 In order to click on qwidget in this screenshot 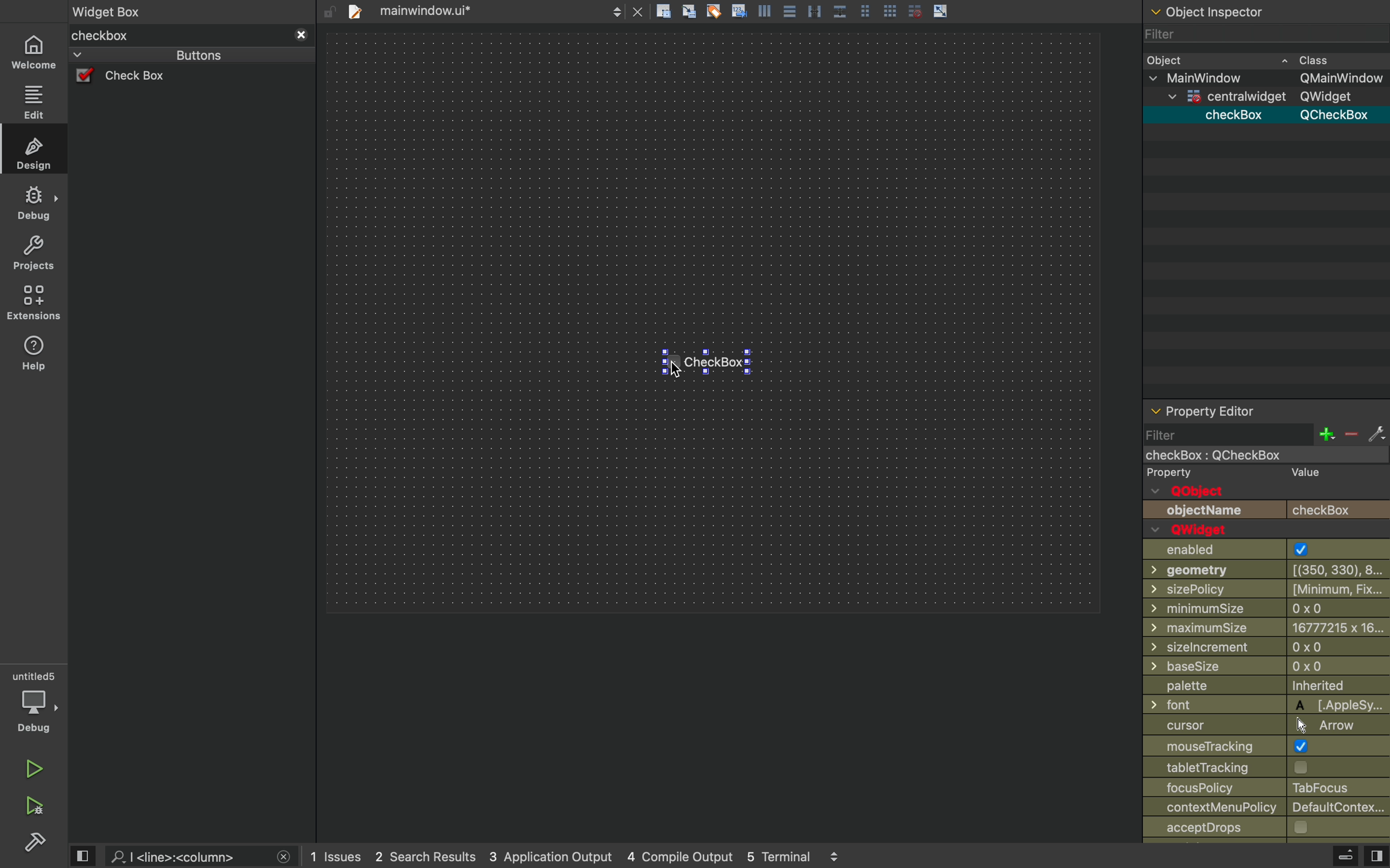, I will do `click(1198, 530)`.